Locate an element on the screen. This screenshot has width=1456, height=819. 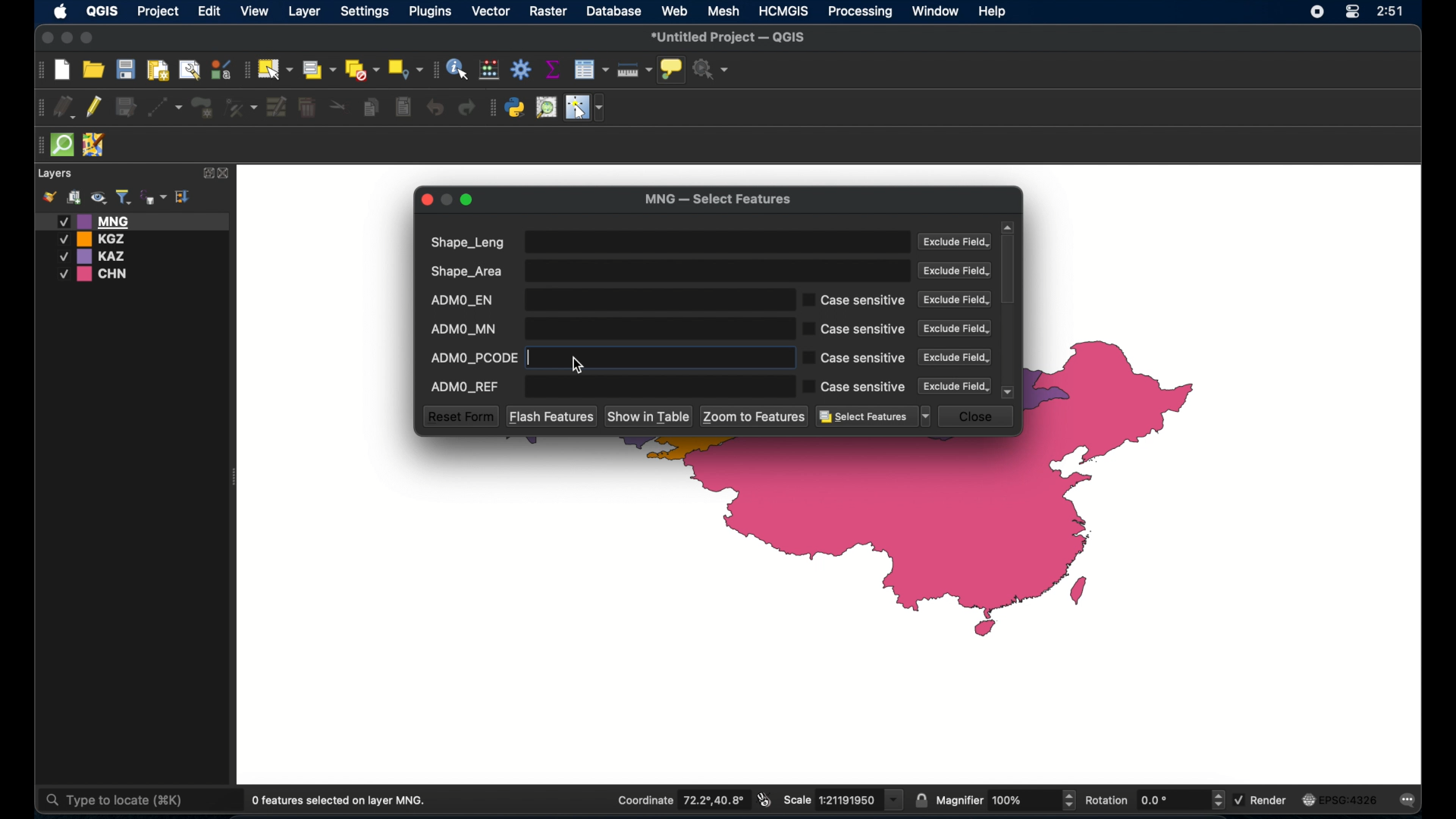
flash features is located at coordinates (551, 416).